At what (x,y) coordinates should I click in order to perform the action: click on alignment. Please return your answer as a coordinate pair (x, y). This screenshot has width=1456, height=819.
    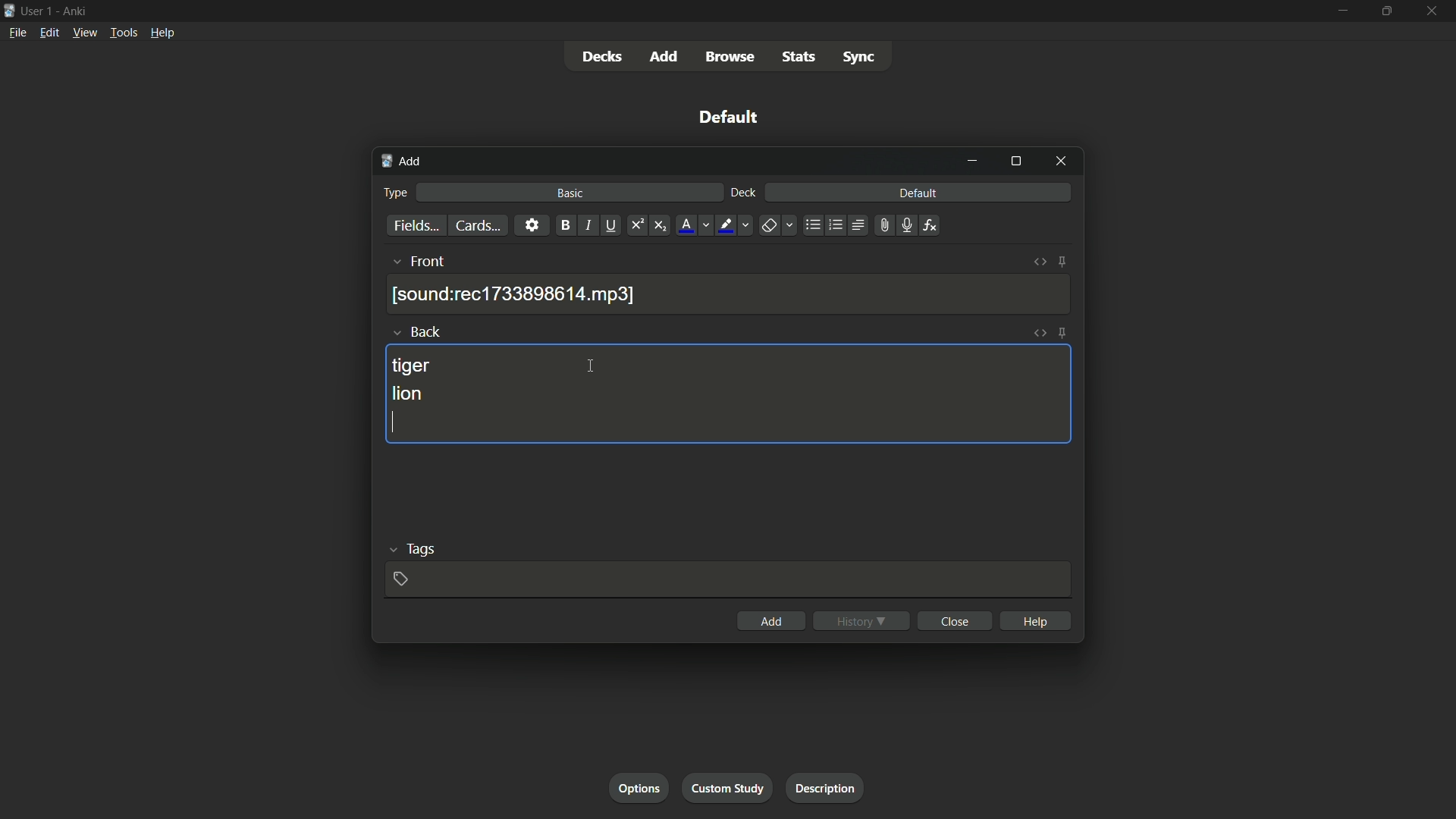
    Looking at the image, I should click on (858, 227).